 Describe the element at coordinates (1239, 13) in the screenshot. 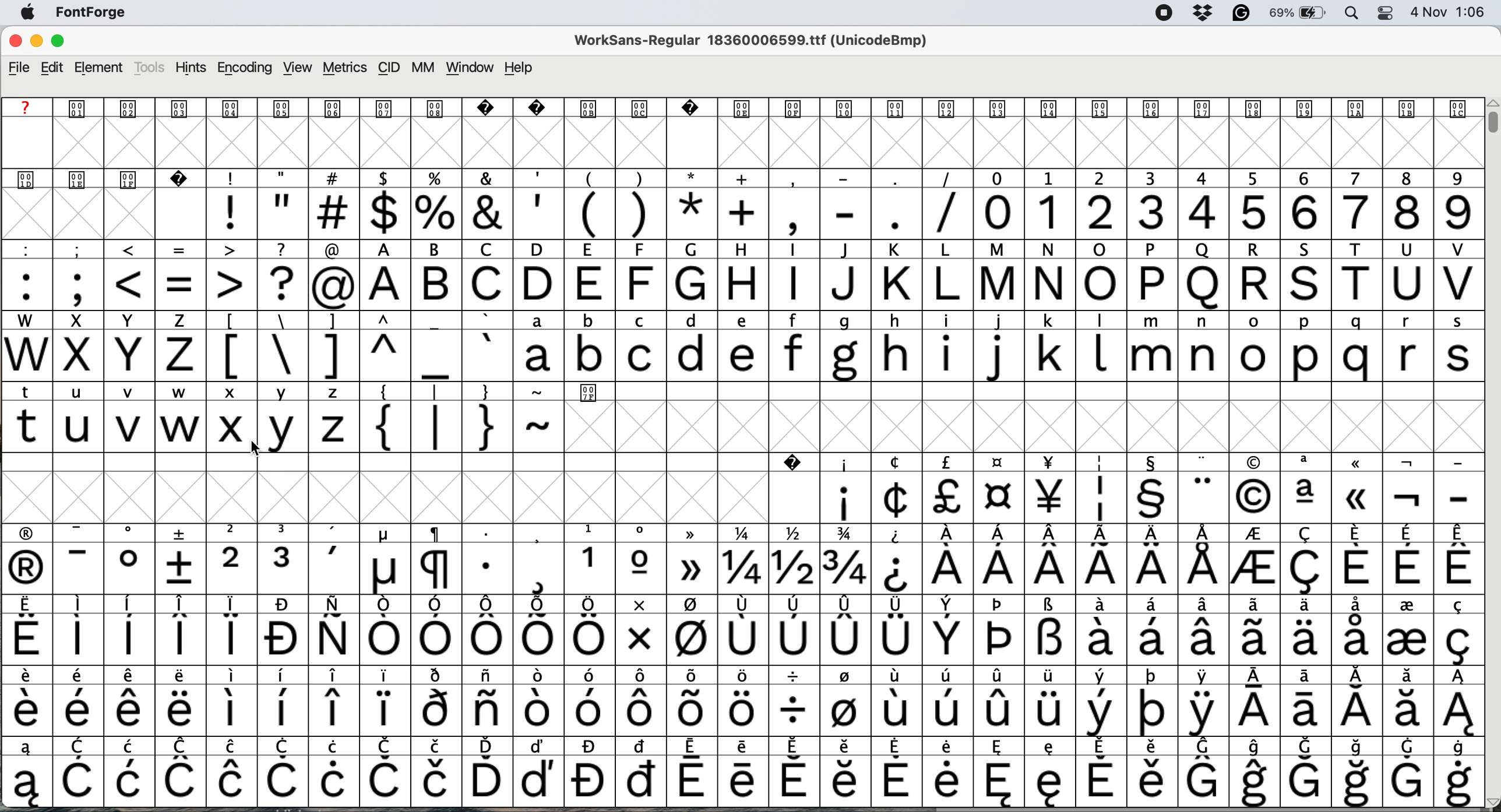

I see `grammarly` at that location.